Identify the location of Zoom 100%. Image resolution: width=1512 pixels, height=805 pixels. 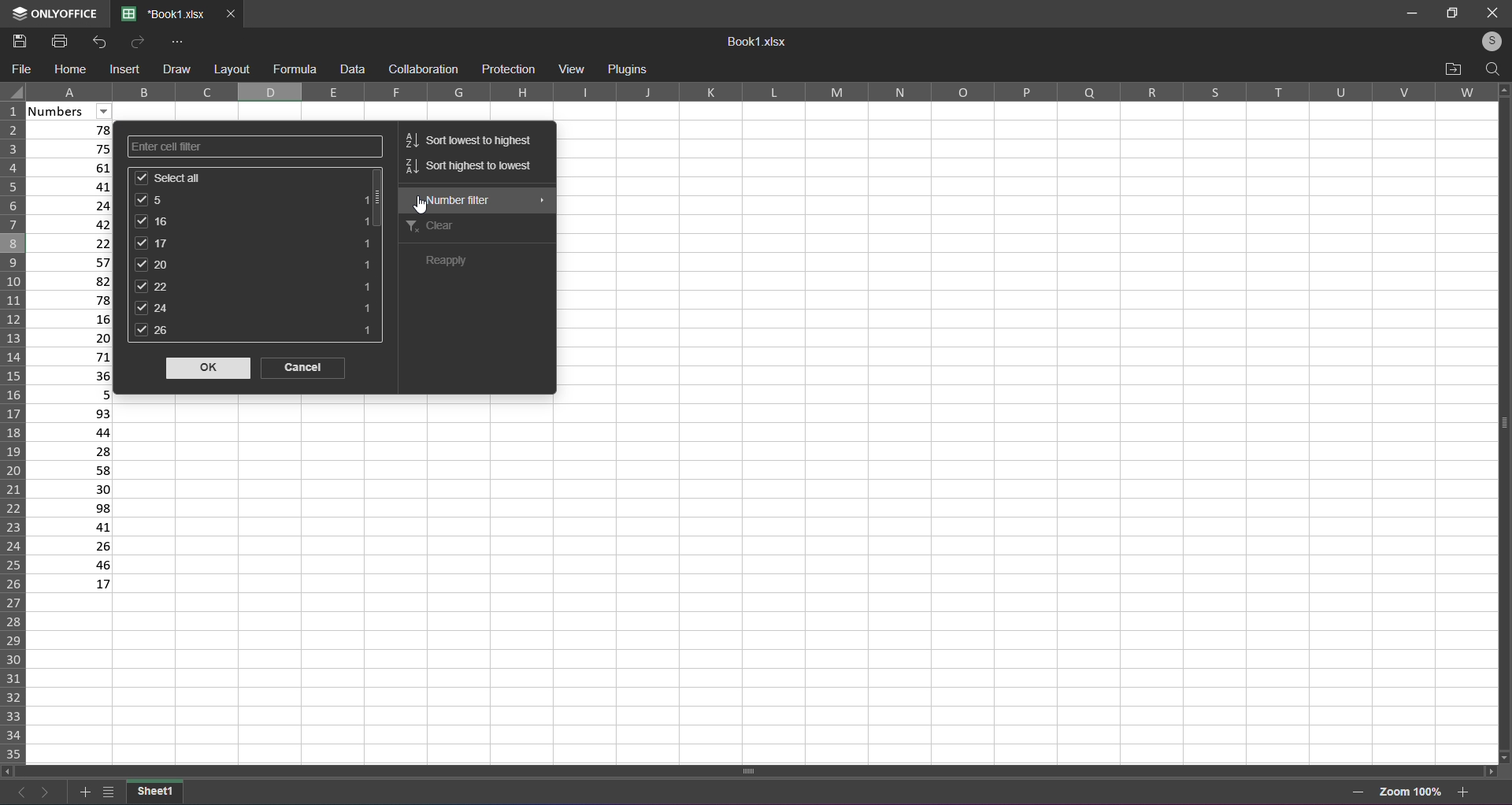
(1411, 790).